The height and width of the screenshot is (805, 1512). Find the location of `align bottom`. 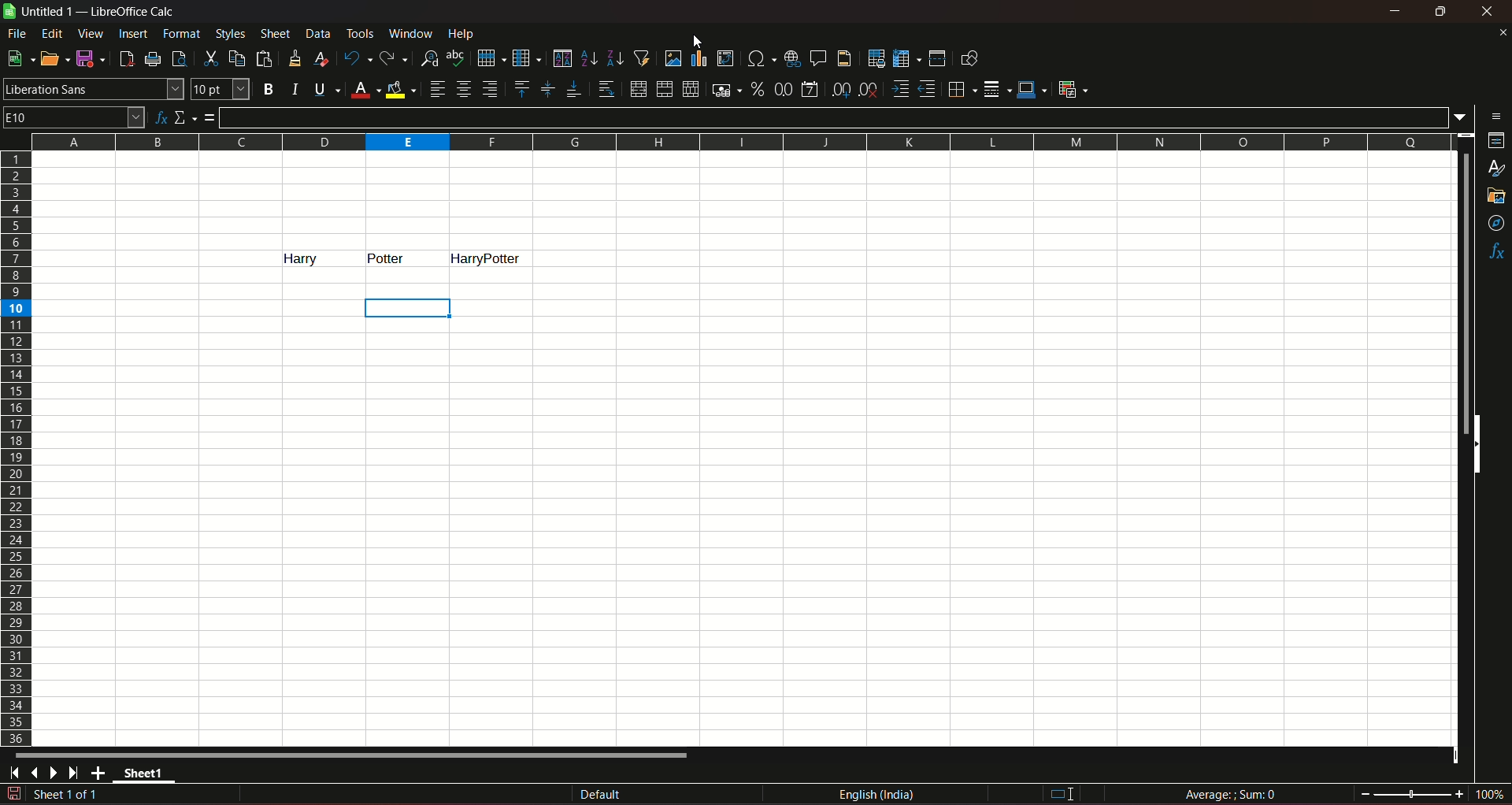

align bottom is located at coordinates (573, 89).